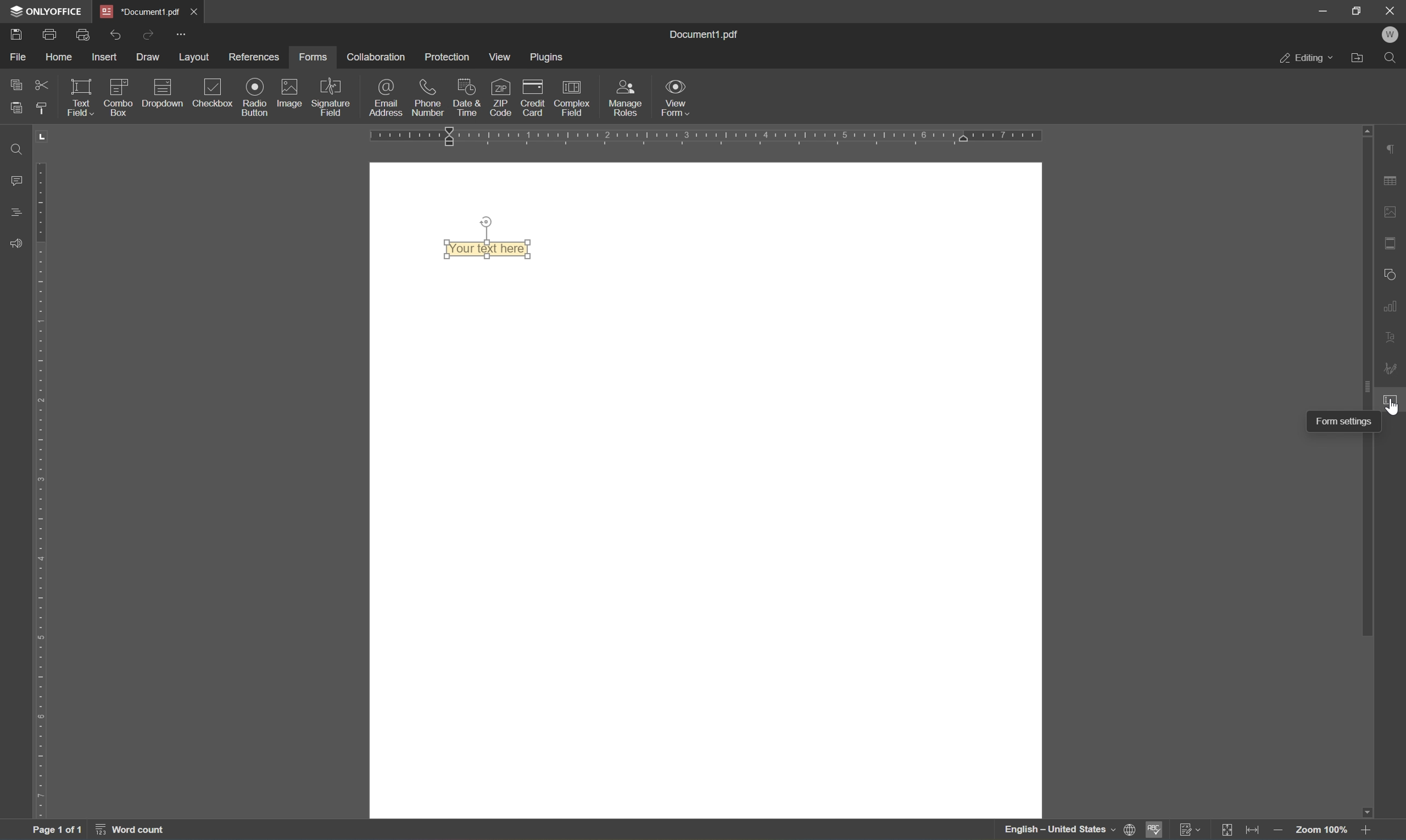  Describe the element at coordinates (1324, 8) in the screenshot. I see `minimize` at that location.